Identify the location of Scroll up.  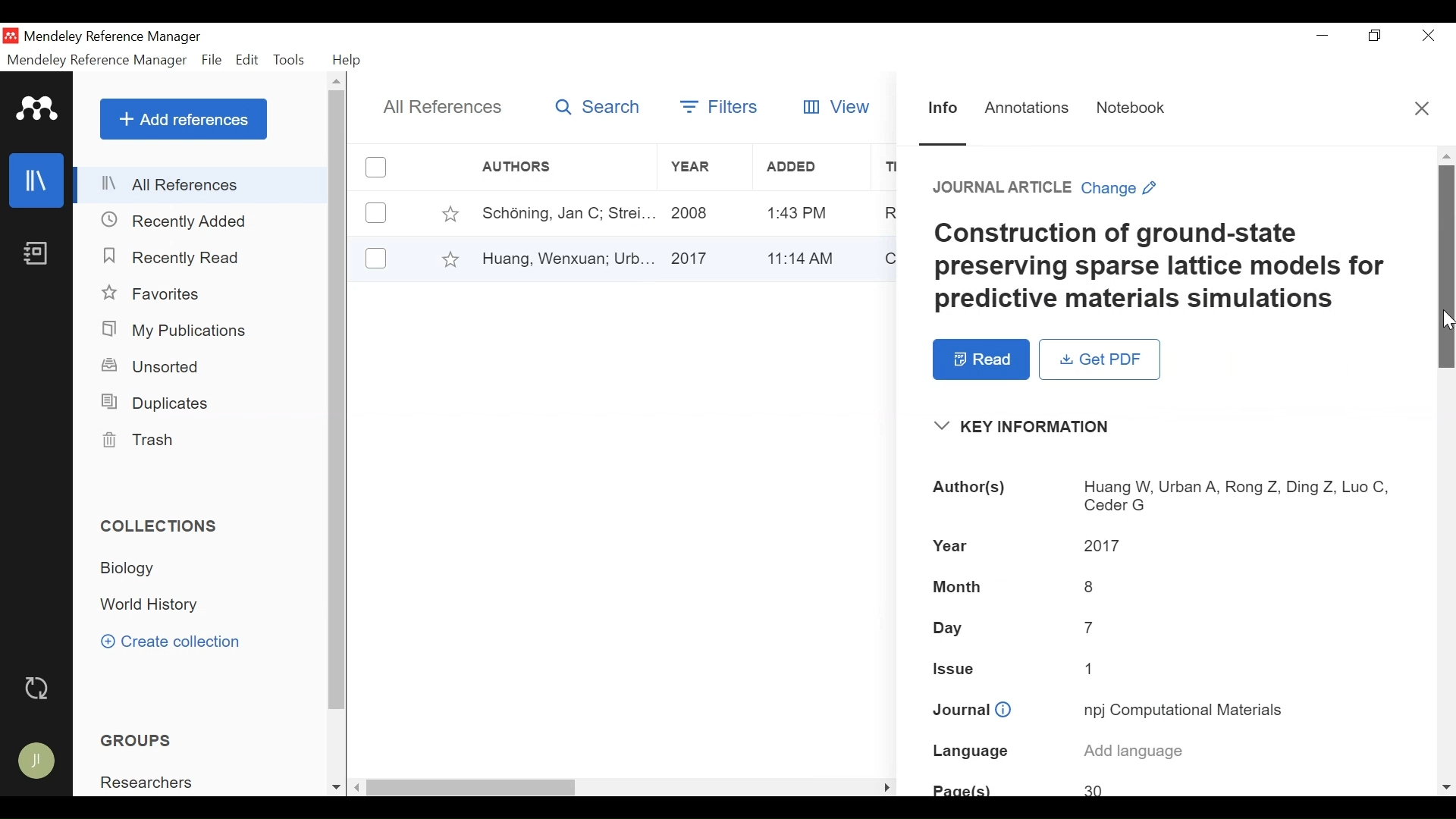
(337, 80).